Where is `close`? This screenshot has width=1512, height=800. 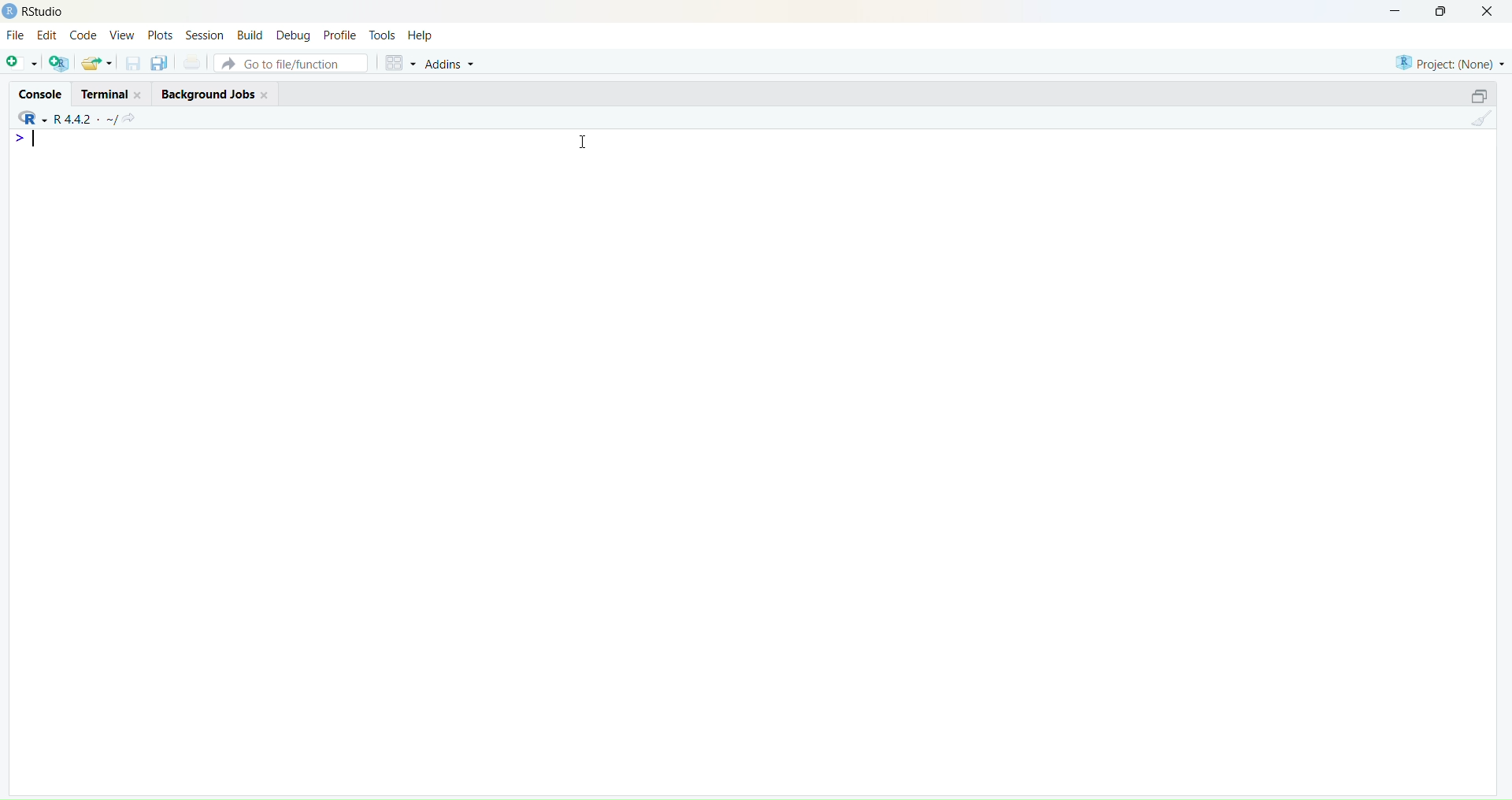 close is located at coordinates (1488, 11).